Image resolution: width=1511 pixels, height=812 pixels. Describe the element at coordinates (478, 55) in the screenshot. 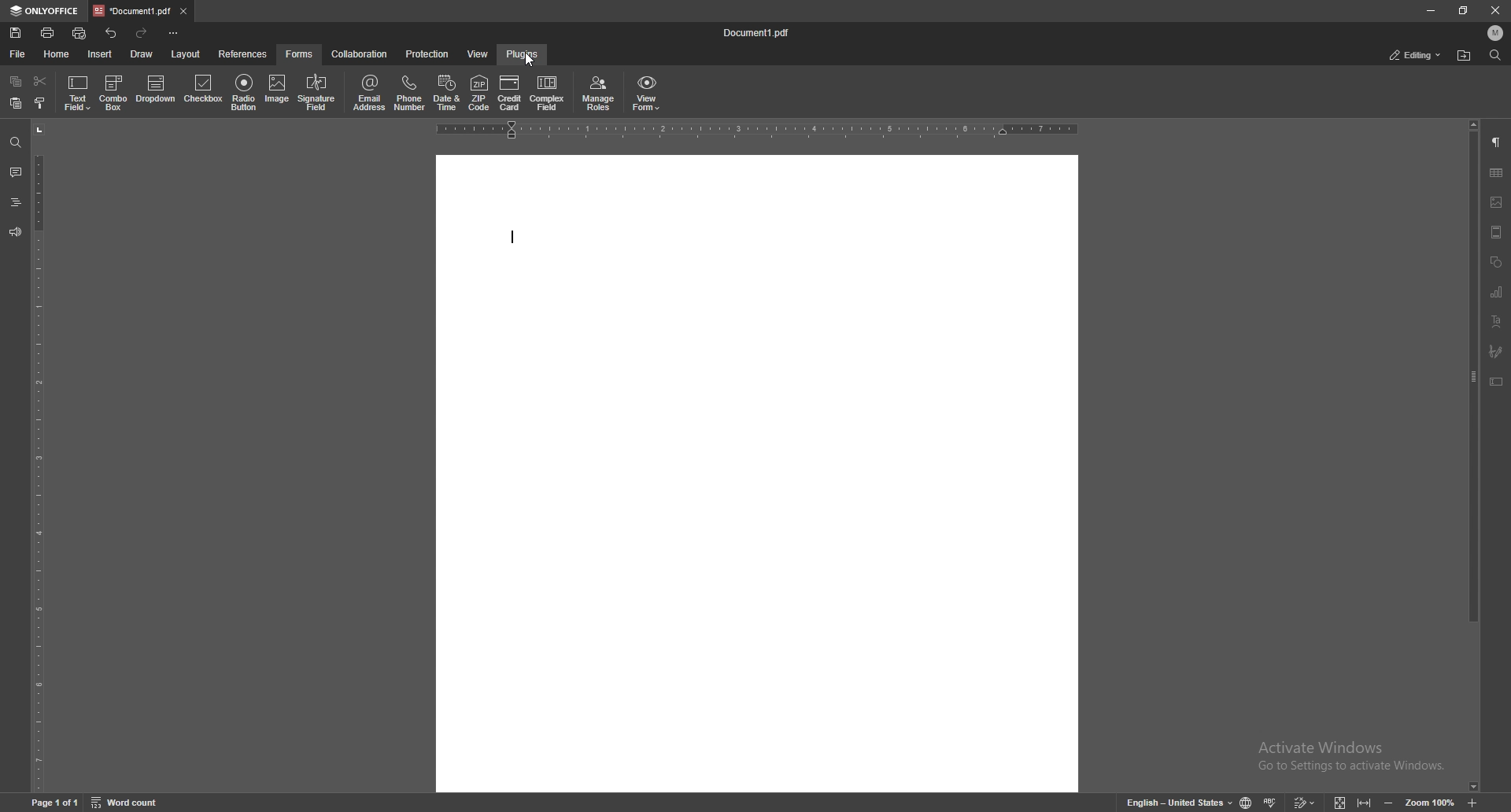

I see `view` at that location.